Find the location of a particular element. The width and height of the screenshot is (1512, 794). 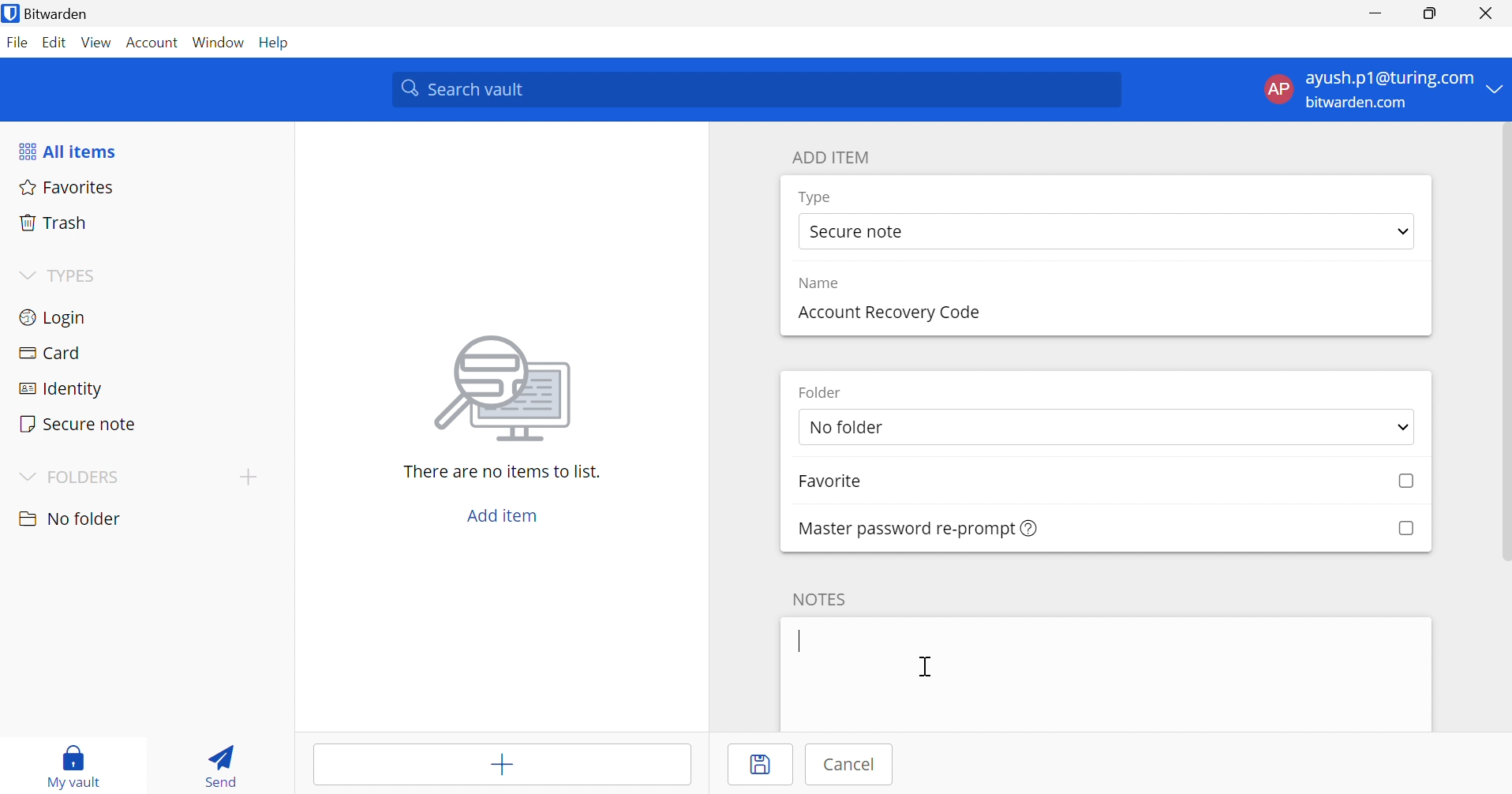

box is located at coordinates (1405, 527).